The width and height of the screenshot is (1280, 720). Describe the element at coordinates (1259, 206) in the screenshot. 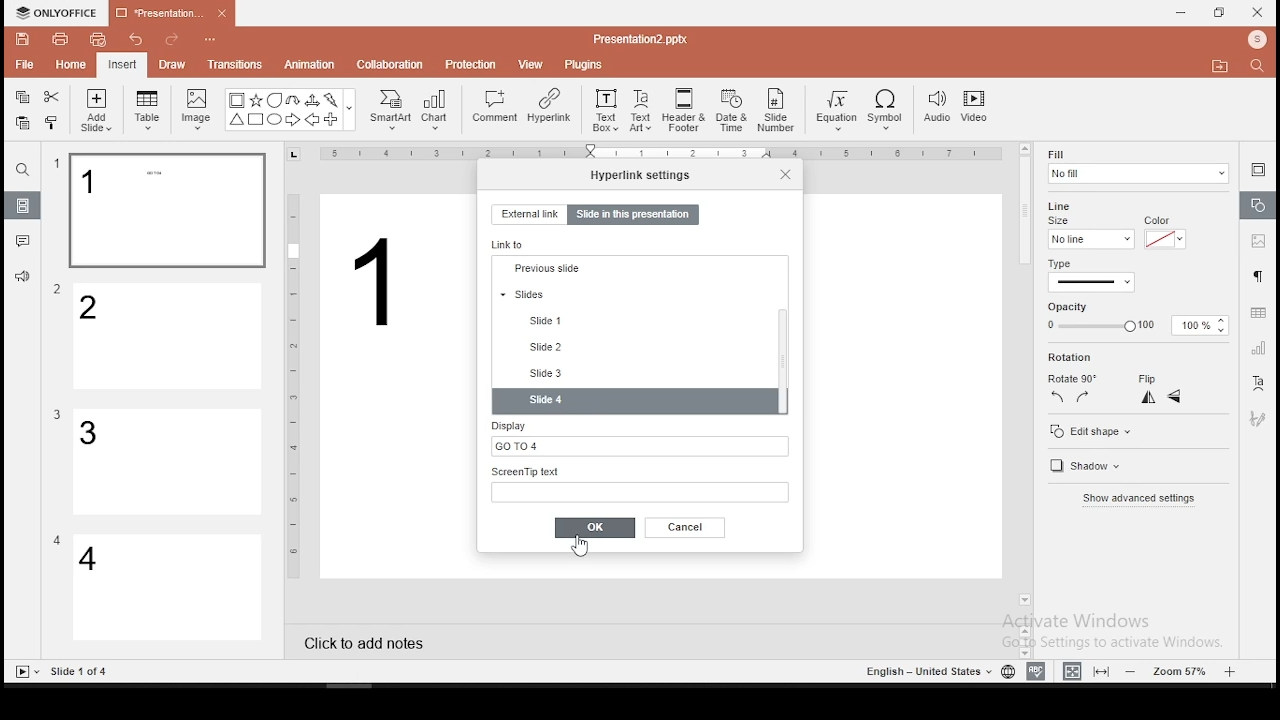

I see `shape settings` at that location.